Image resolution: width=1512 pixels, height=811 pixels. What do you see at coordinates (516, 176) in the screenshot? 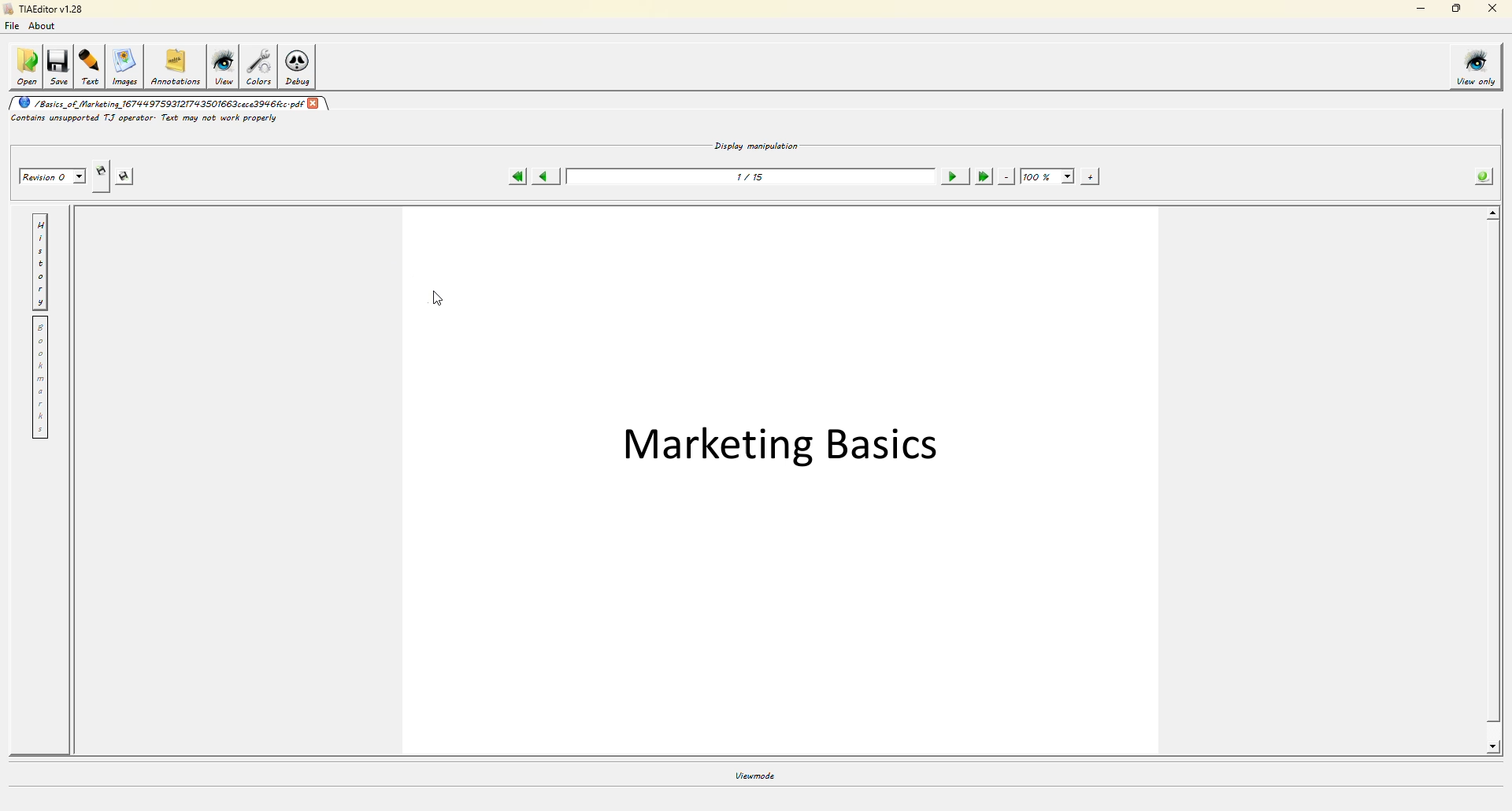
I see `starting page` at bounding box center [516, 176].